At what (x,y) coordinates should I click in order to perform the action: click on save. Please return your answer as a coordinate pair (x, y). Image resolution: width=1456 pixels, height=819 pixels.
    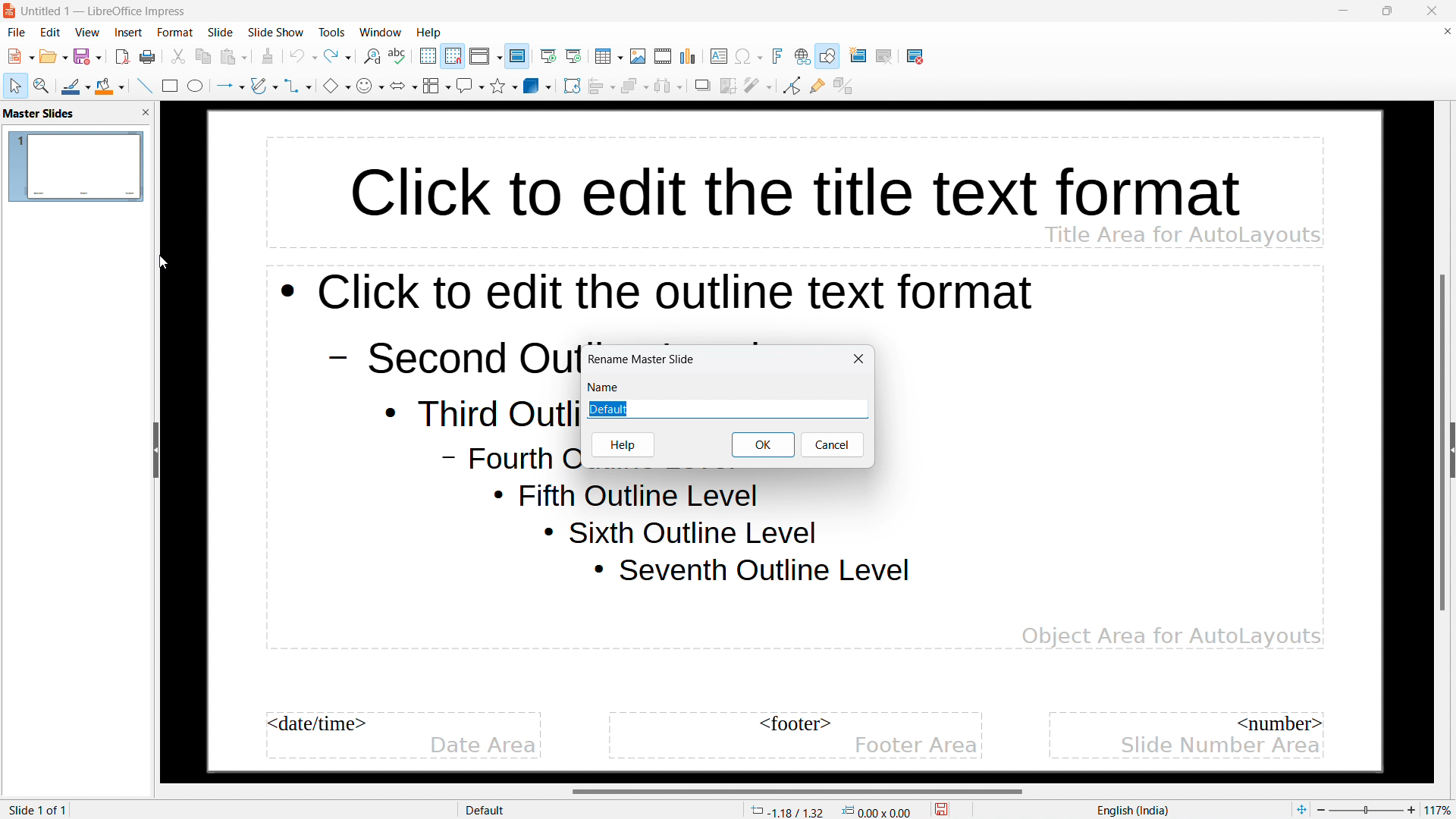
    Looking at the image, I should click on (149, 58).